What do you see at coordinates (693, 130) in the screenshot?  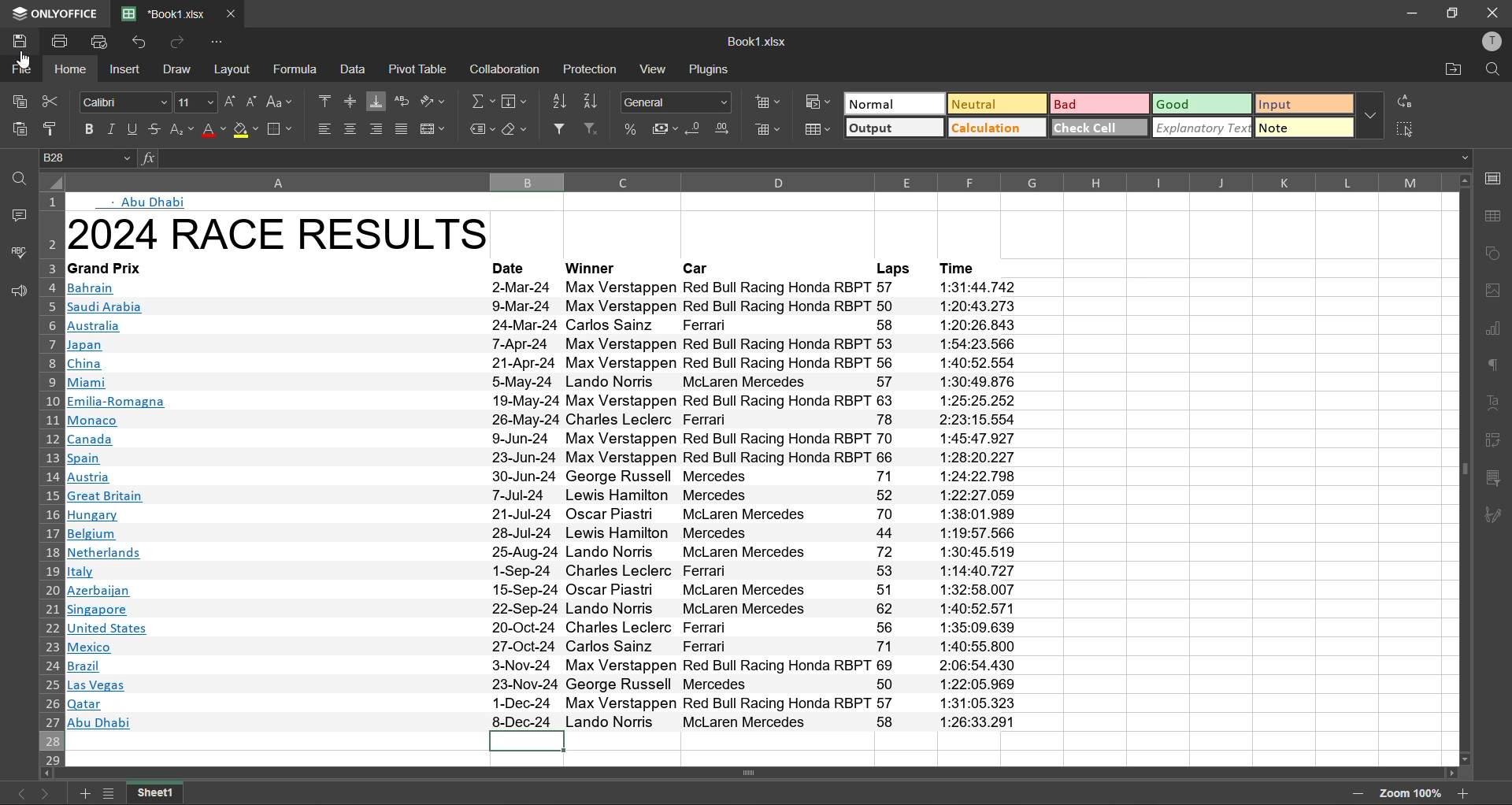 I see `decrease decimal` at bounding box center [693, 130].